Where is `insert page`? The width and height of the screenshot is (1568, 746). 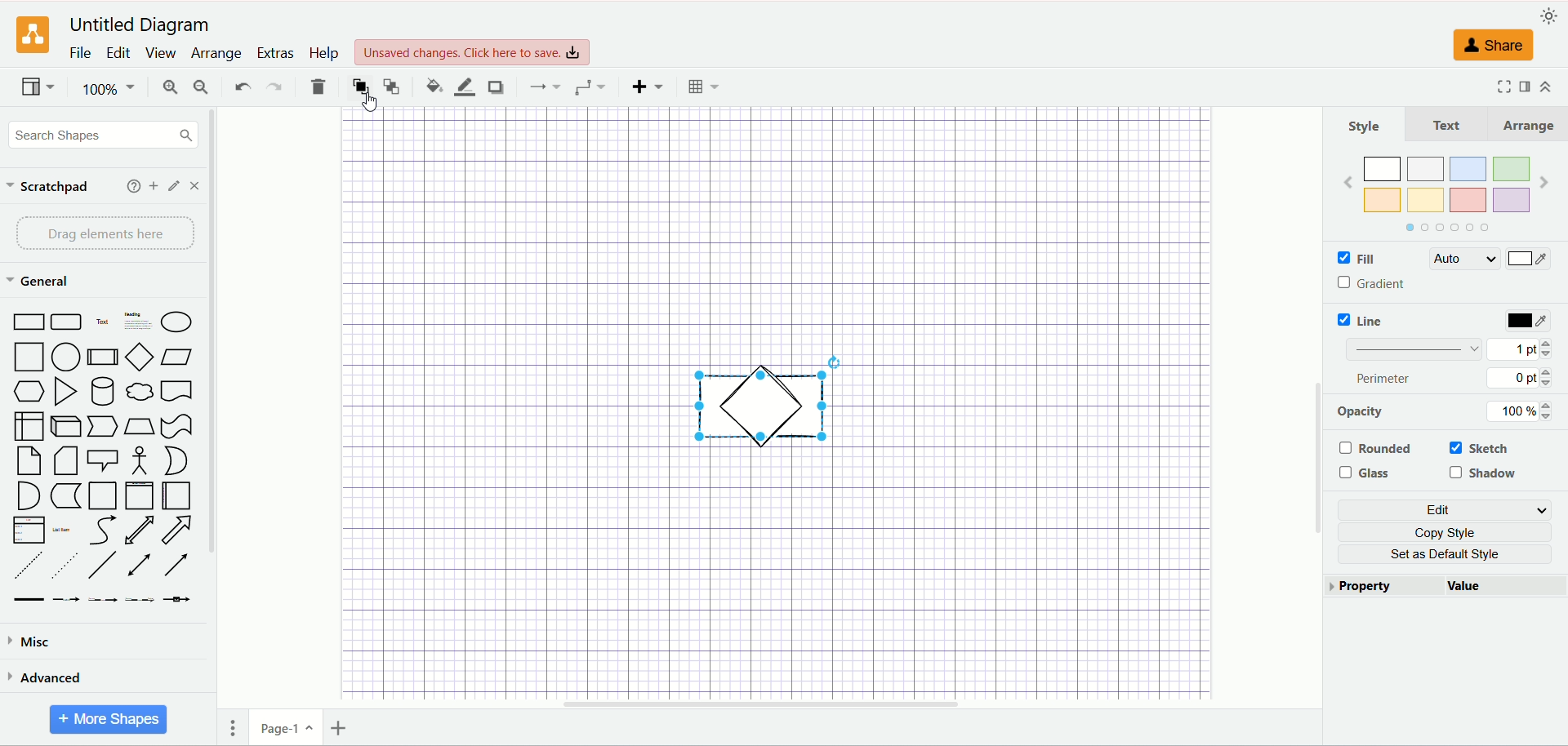
insert page is located at coordinates (344, 728).